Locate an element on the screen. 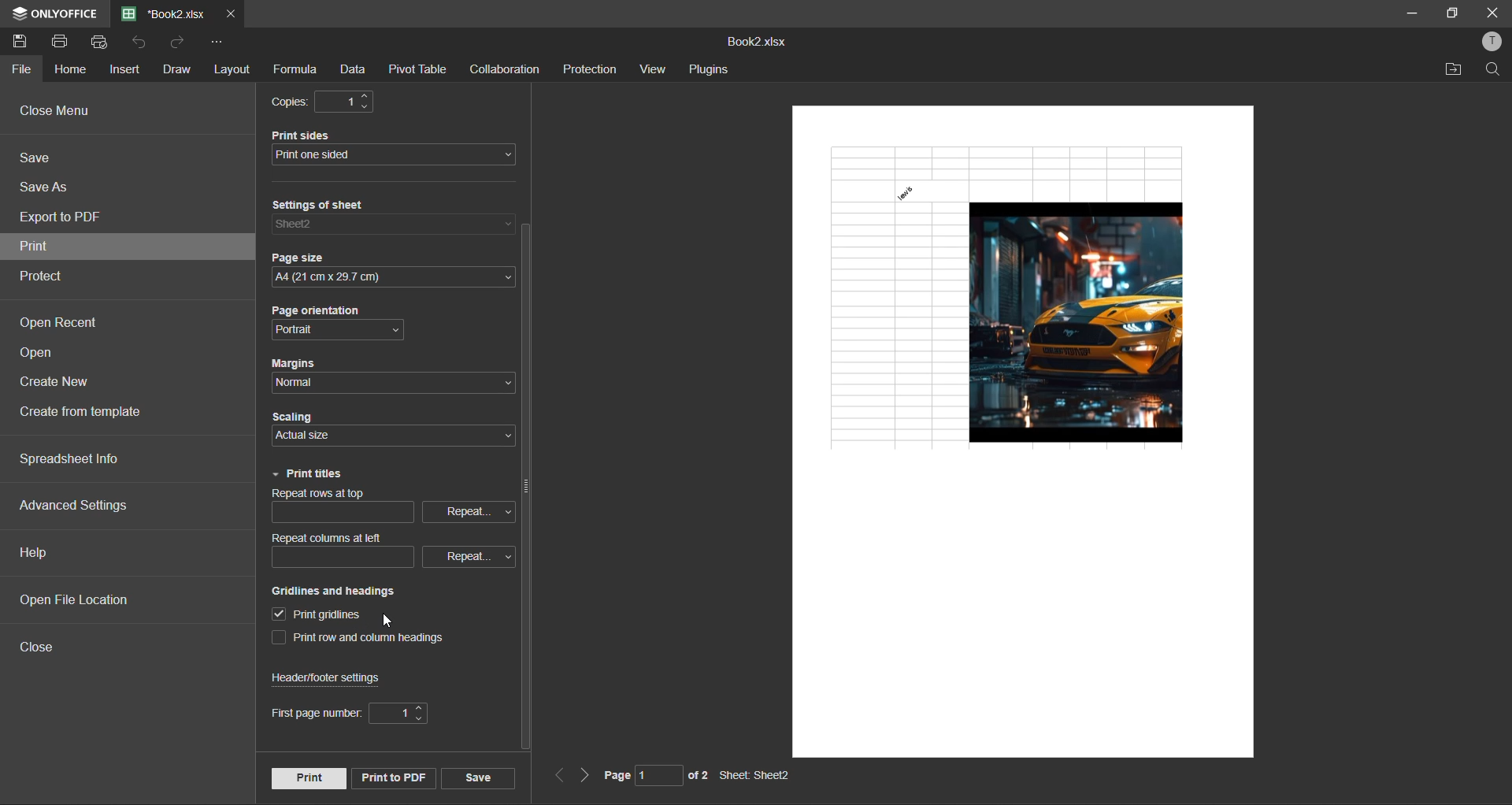 The width and height of the screenshot is (1512, 805). undo is located at coordinates (139, 42).